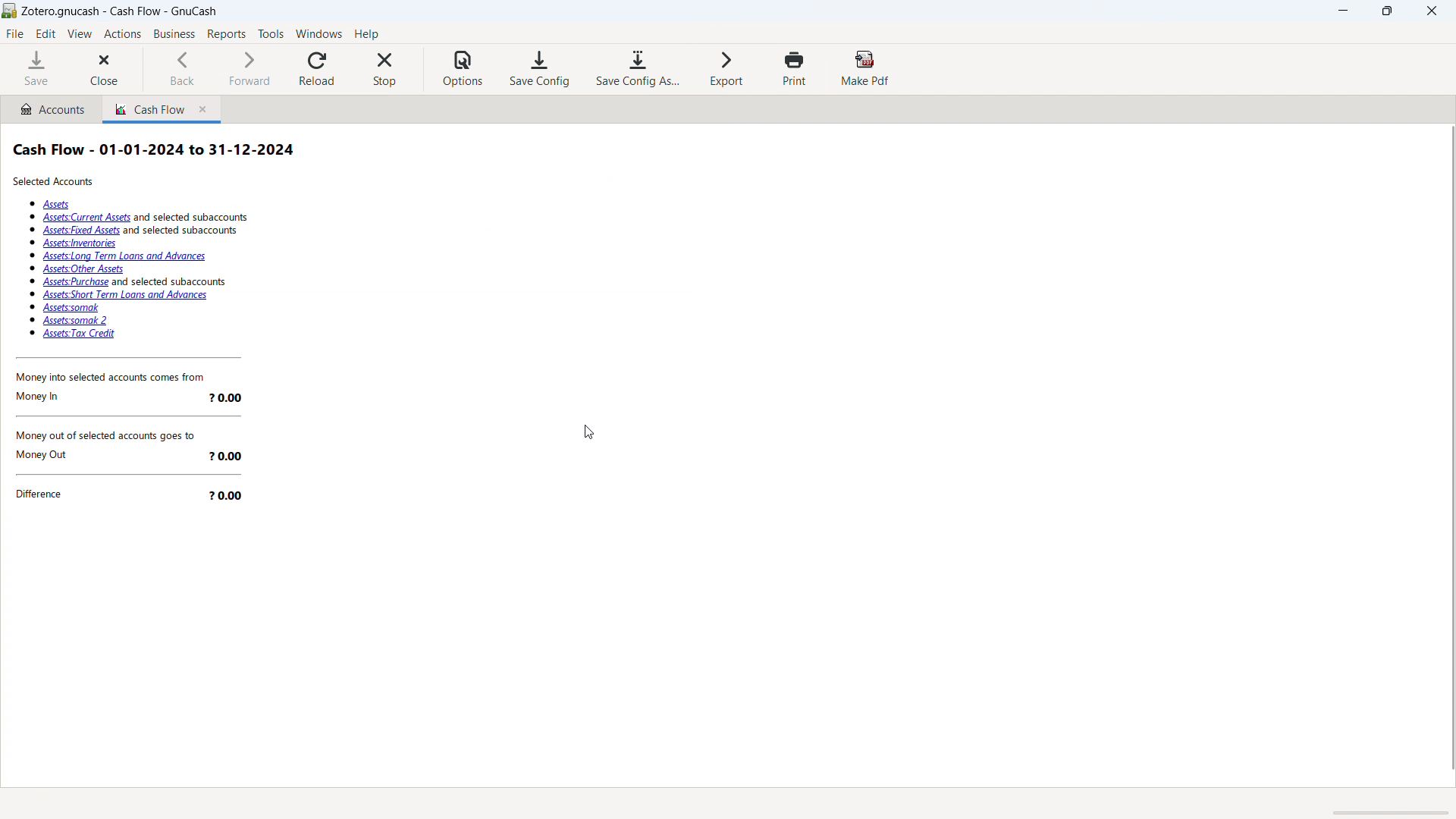 The height and width of the screenshot is (819, 1456). Describe the element at coordinates (55, 182) in the screenshot. I see `Selected Accounts` at that location.